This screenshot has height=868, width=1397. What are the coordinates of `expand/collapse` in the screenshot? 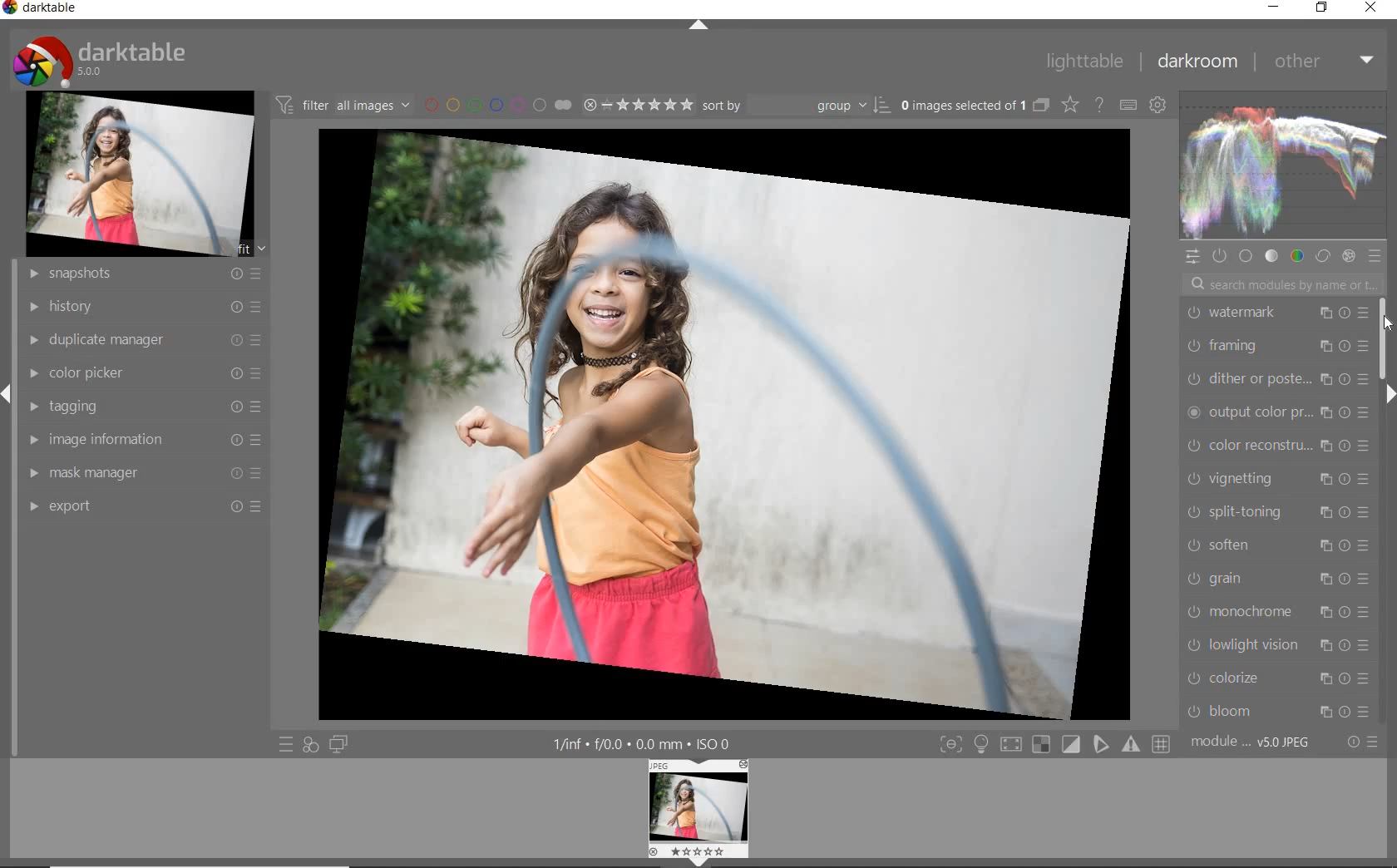 It's located at (697, 27).